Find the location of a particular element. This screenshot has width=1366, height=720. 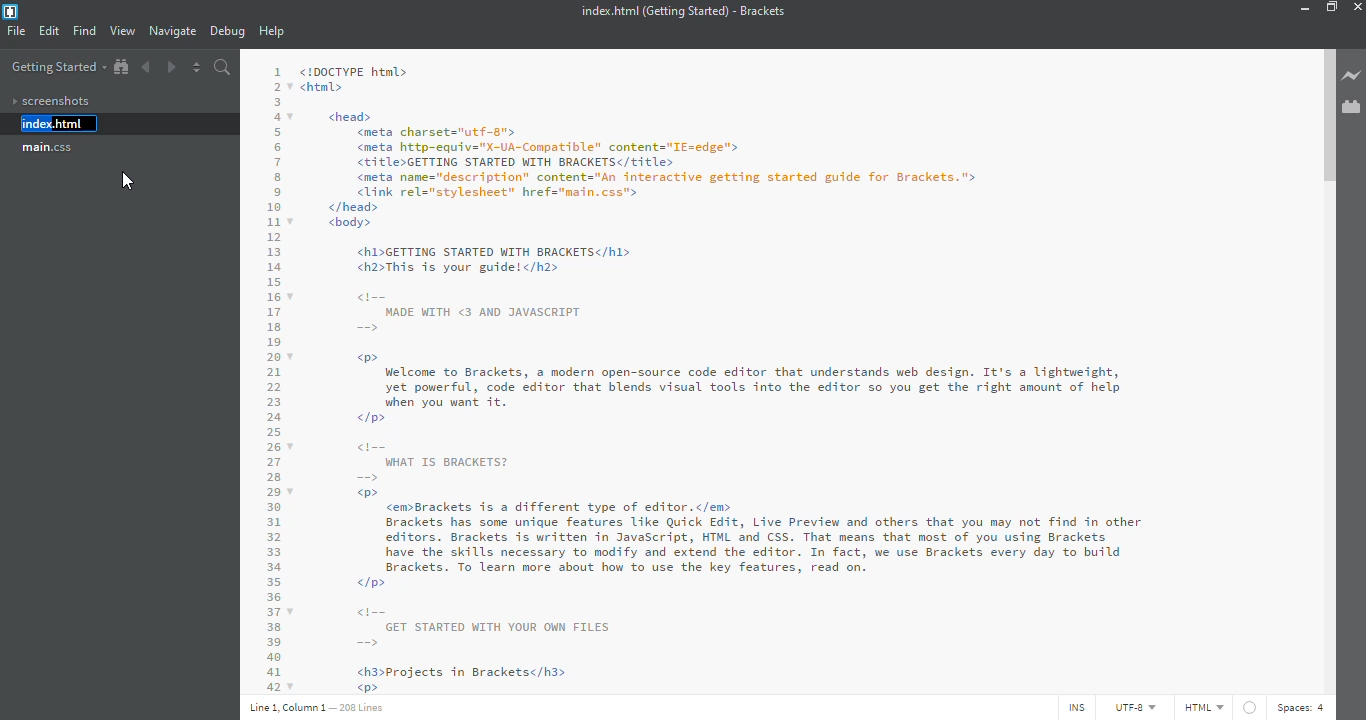

code lines is located at coordinates (270, 374).